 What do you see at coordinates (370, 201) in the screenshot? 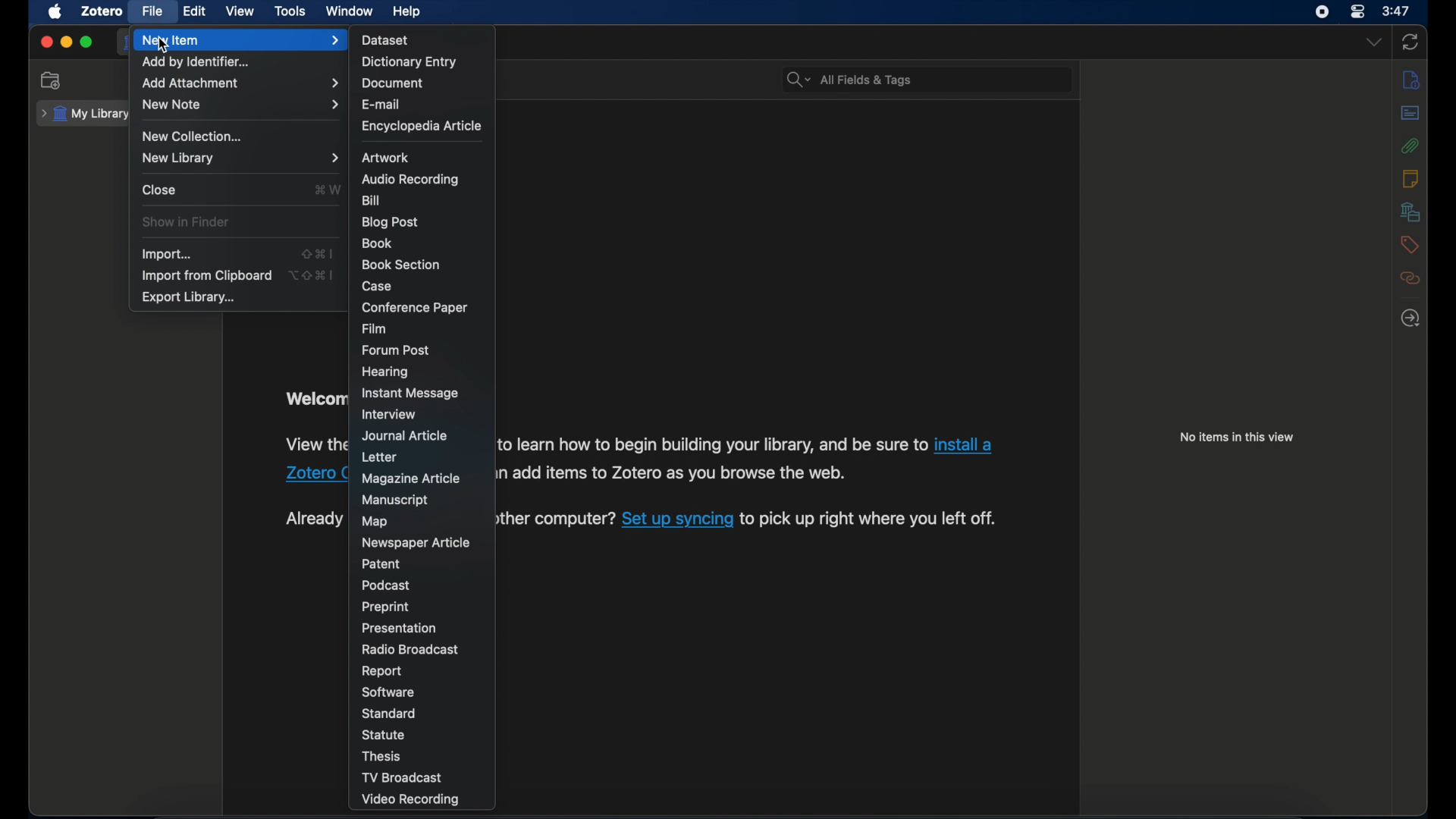
I see `bill` at bounding box center [370, 201].